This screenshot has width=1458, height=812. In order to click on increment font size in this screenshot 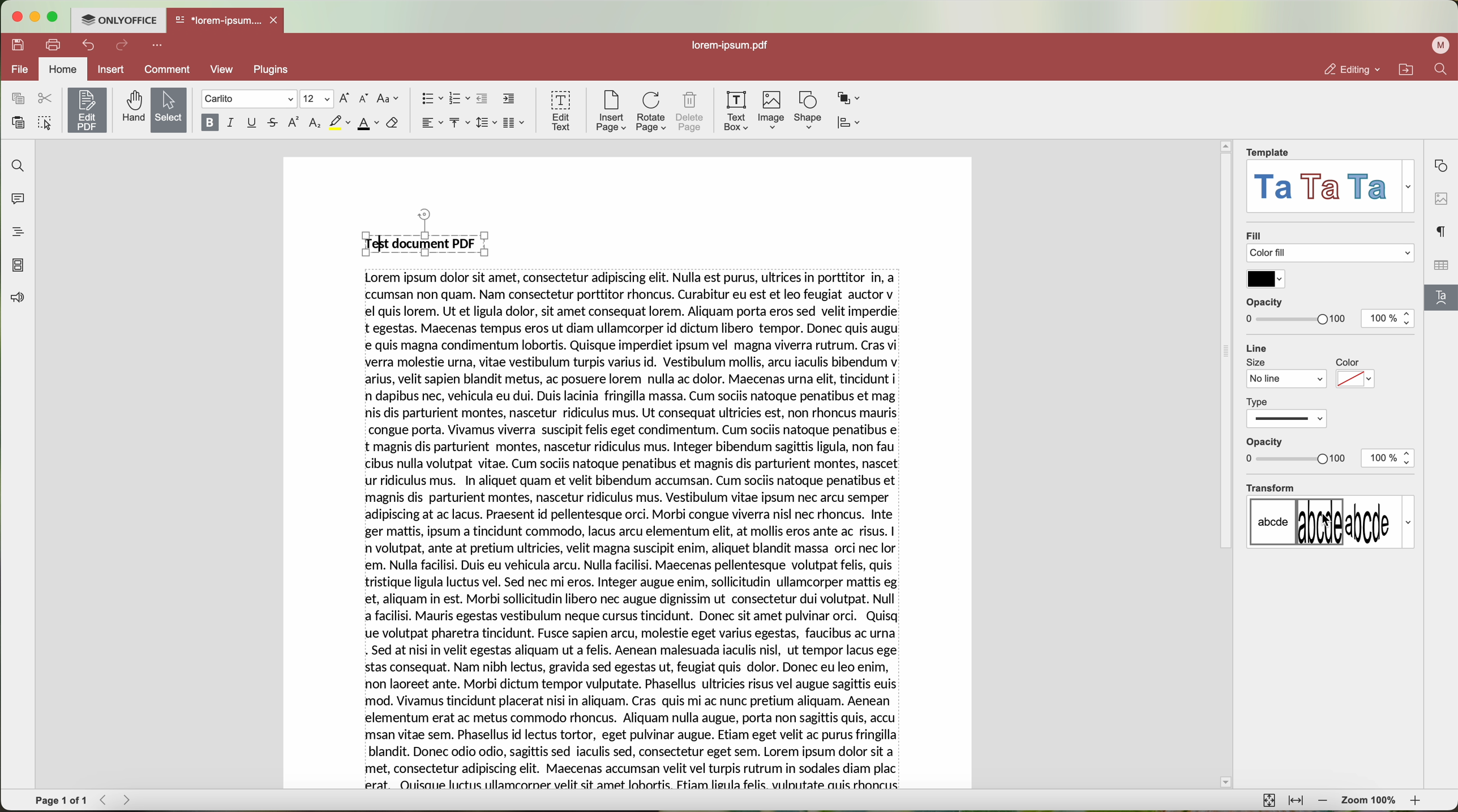, I will do `click(345, 98)`.